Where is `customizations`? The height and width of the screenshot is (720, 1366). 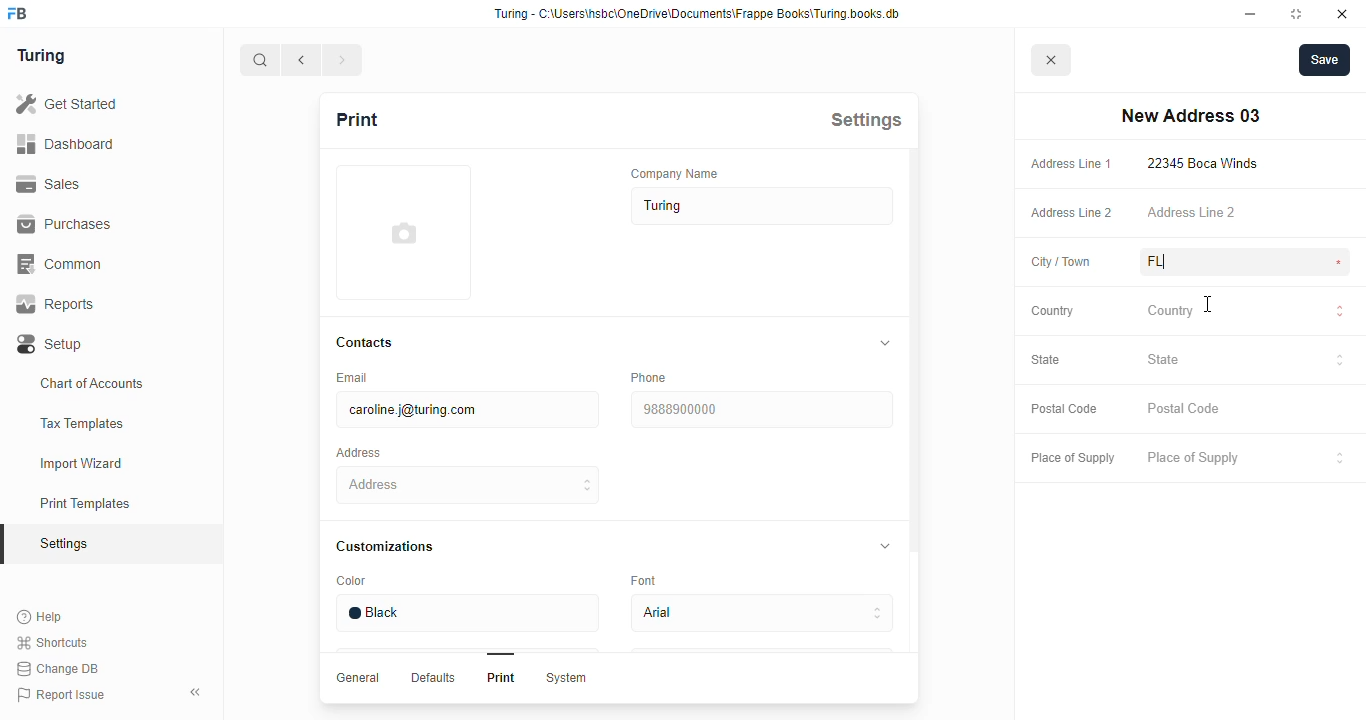
customizations is located at coordinates (384, 546).